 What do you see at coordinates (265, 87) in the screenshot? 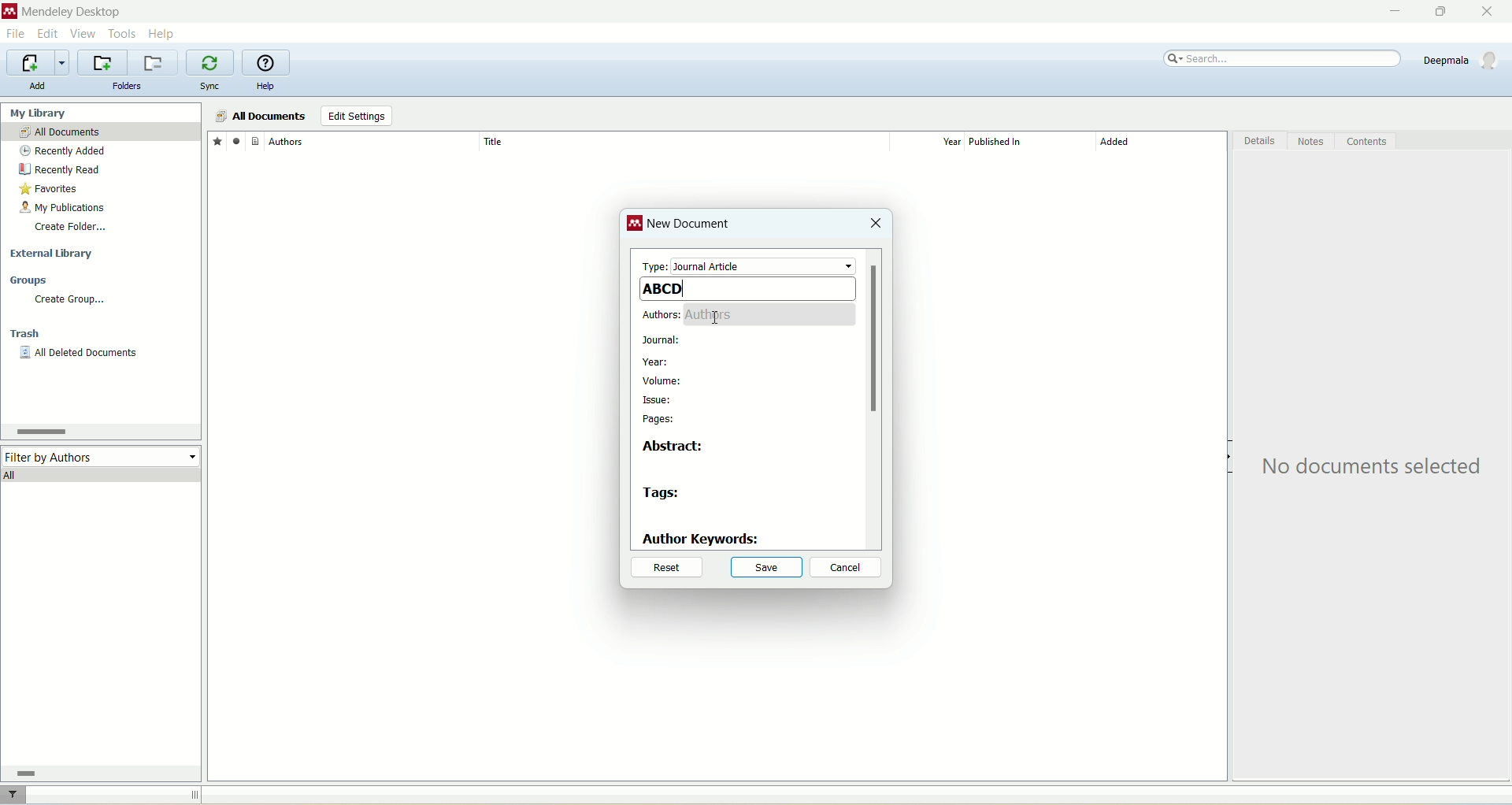
I see `help` at bounding box center [265, 87].